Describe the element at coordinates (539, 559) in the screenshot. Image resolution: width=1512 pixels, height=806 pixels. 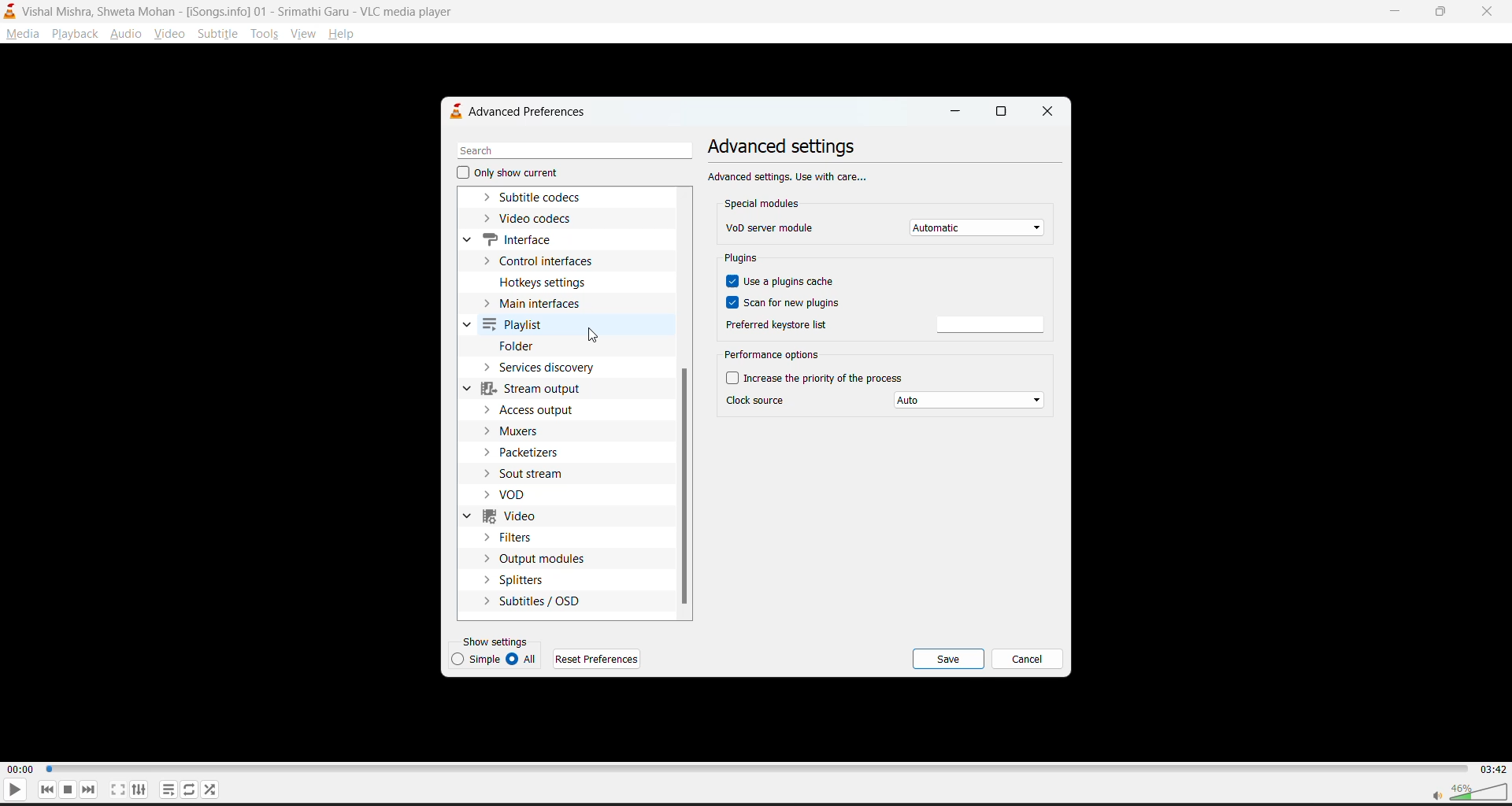
I see `output modules` at that location.